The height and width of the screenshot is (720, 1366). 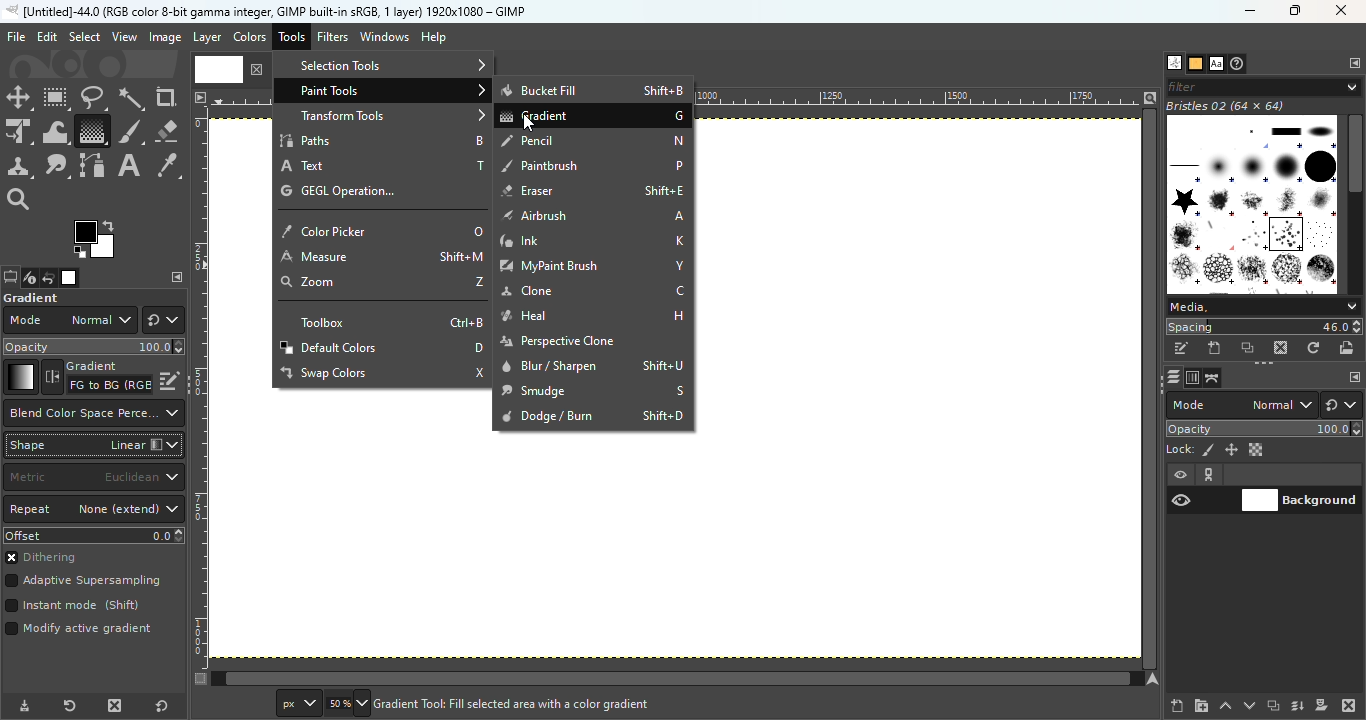 I want to click on Open the channels dialog, so click(x=1191, y=376).